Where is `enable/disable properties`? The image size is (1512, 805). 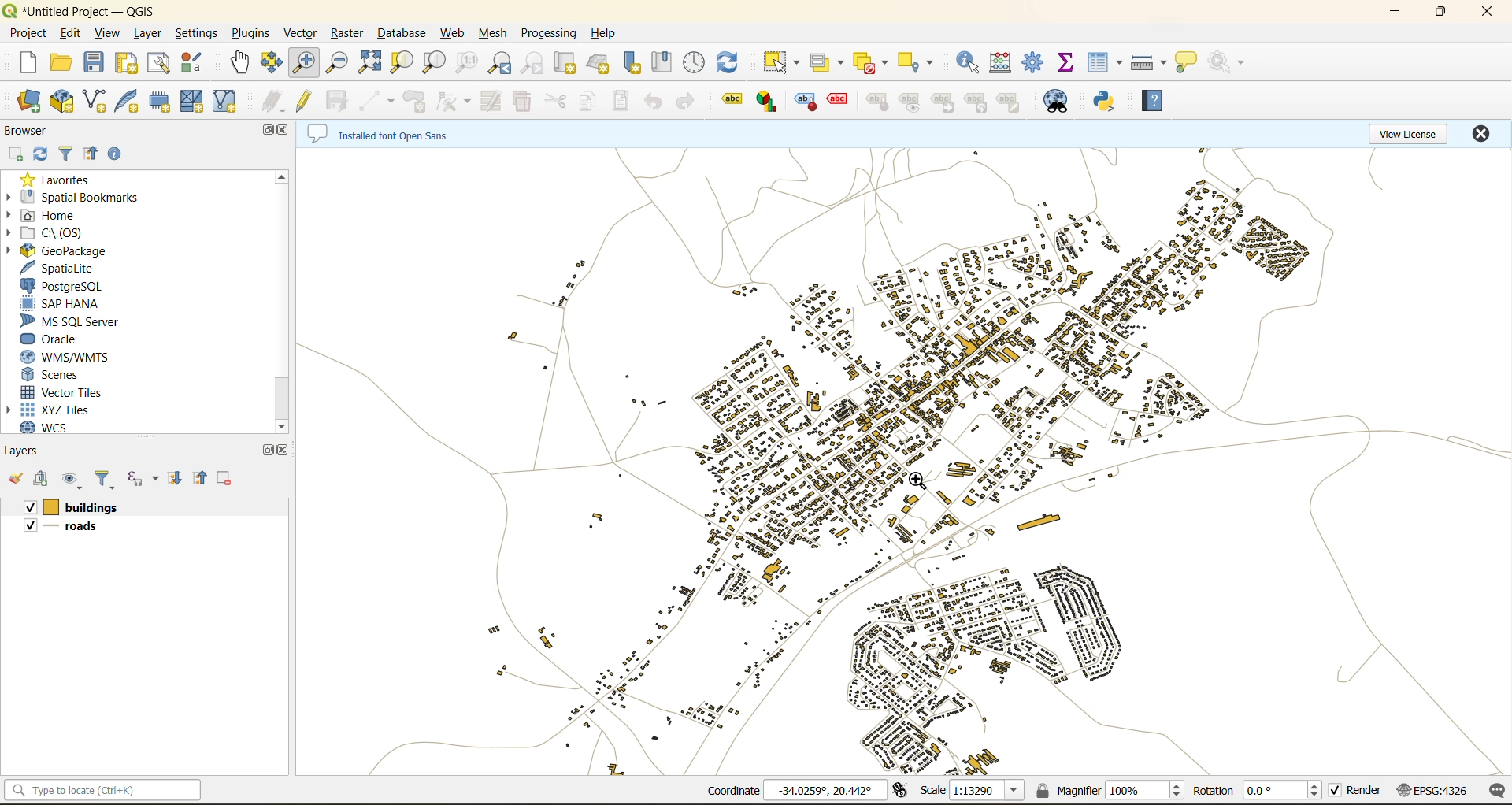
enable/disable properties is located at coordinates (117, 155).